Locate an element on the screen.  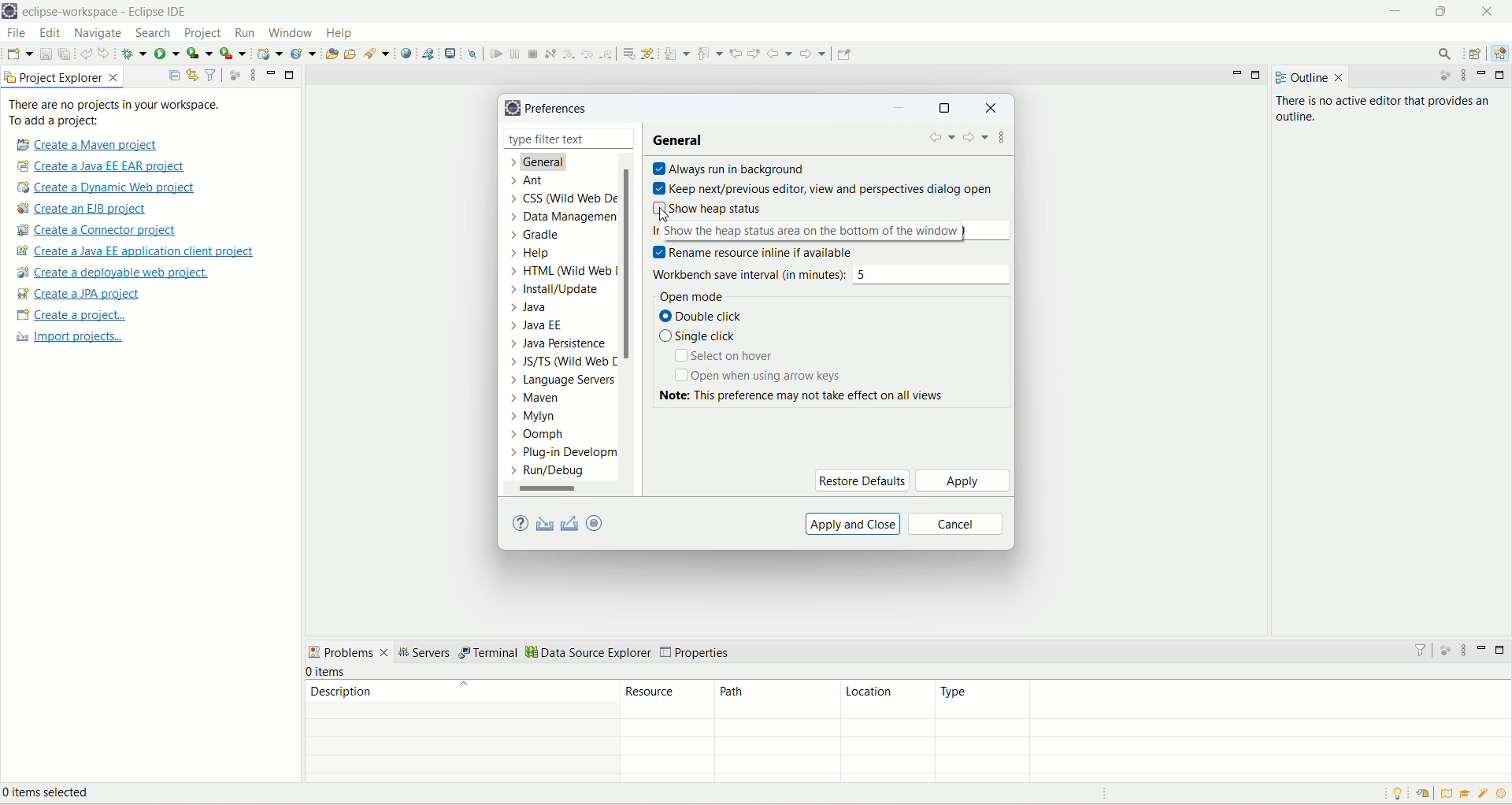
workbench save interval (in minutes): 5 is located at coordinates (834, 273).